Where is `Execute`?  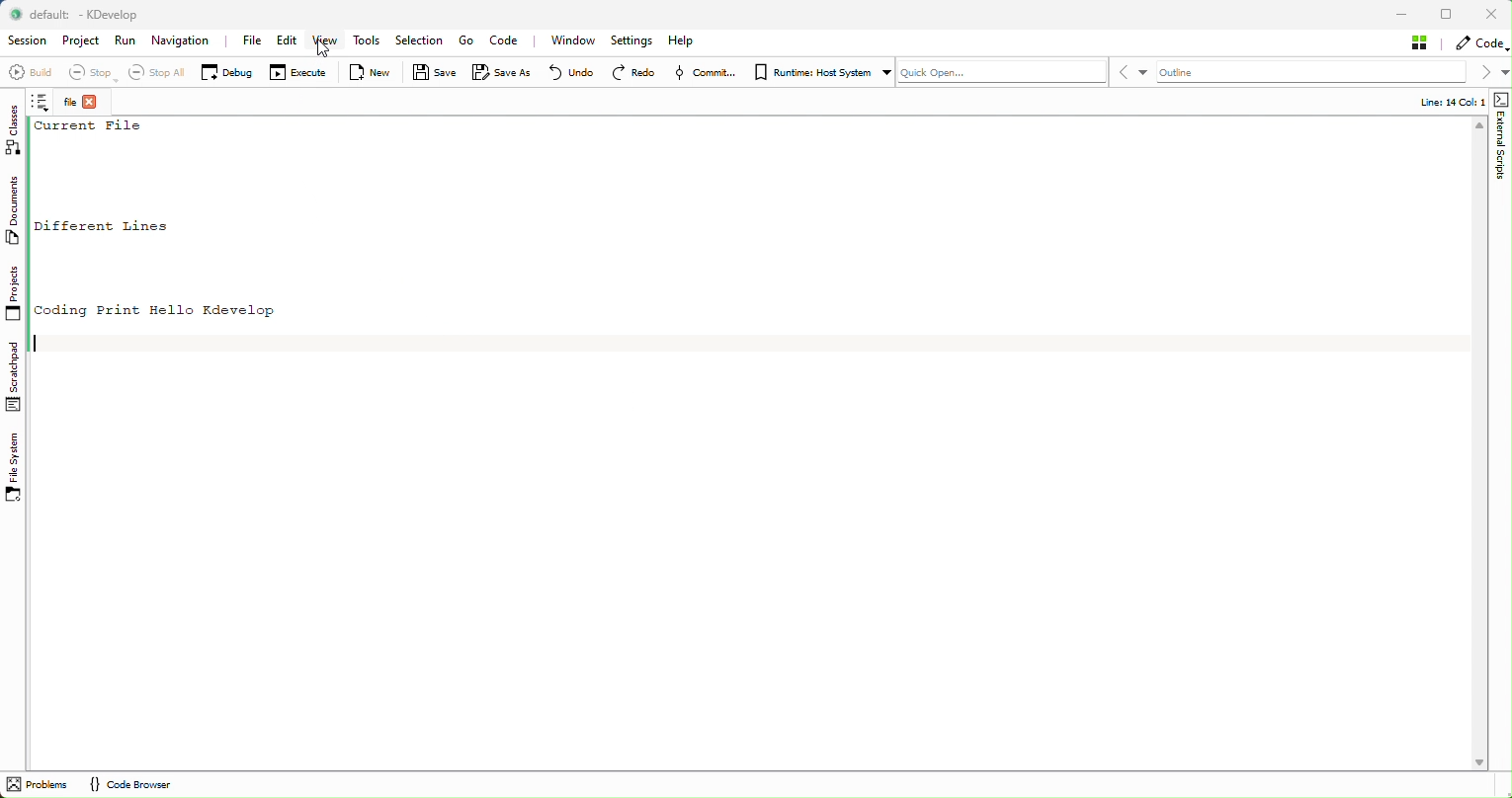 Execute is located at coordinates (298, 73).